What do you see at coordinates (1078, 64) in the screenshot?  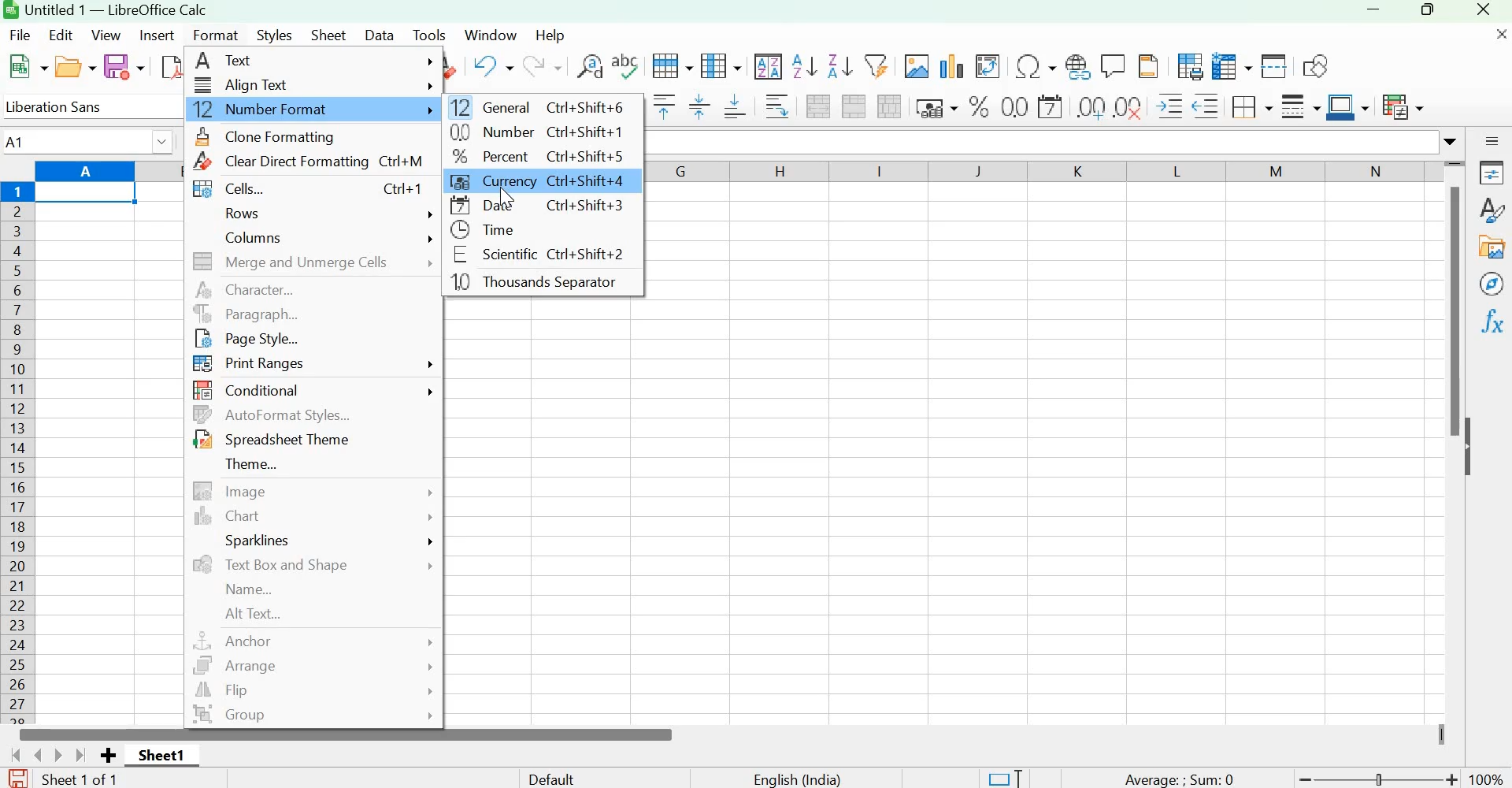 I see `Insert hyperlink` at bounding box center [1078, 64].